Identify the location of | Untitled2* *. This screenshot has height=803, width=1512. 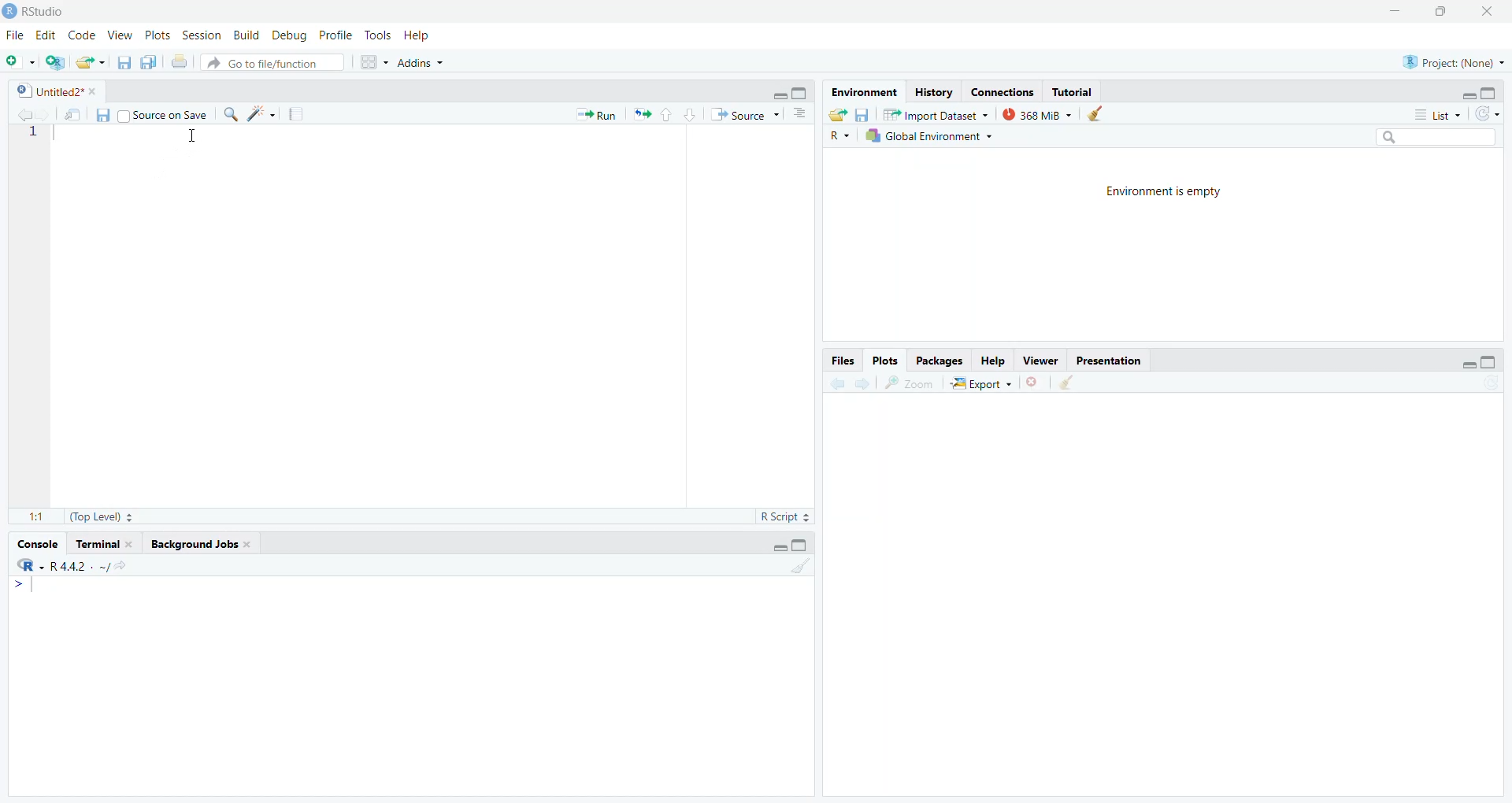
(51, 90).